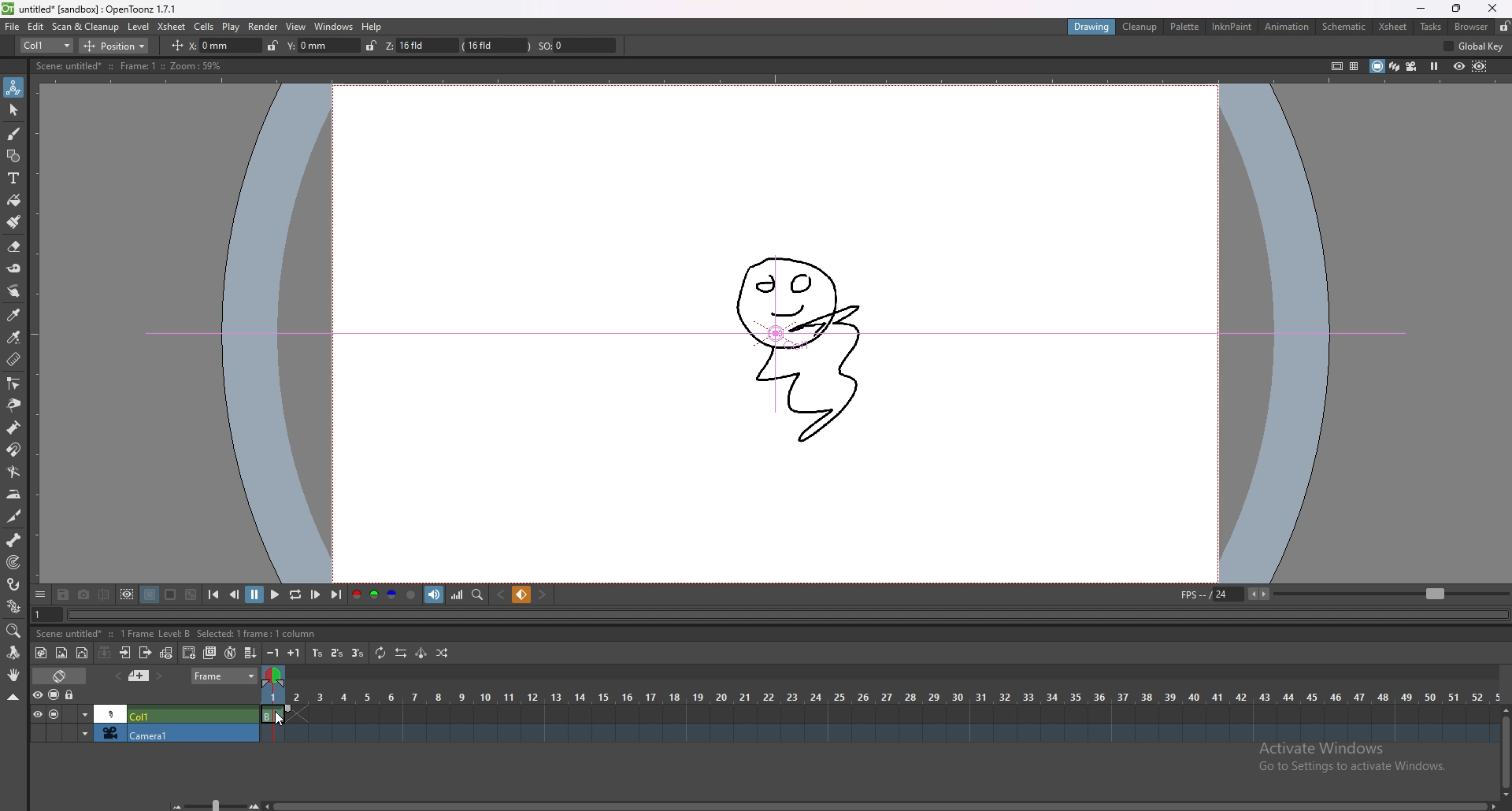 The width and height of the screenshot is (1512, 811). Describe the element at coordinates (172, 27) in the screenshot. I see `xsheet` at that location.